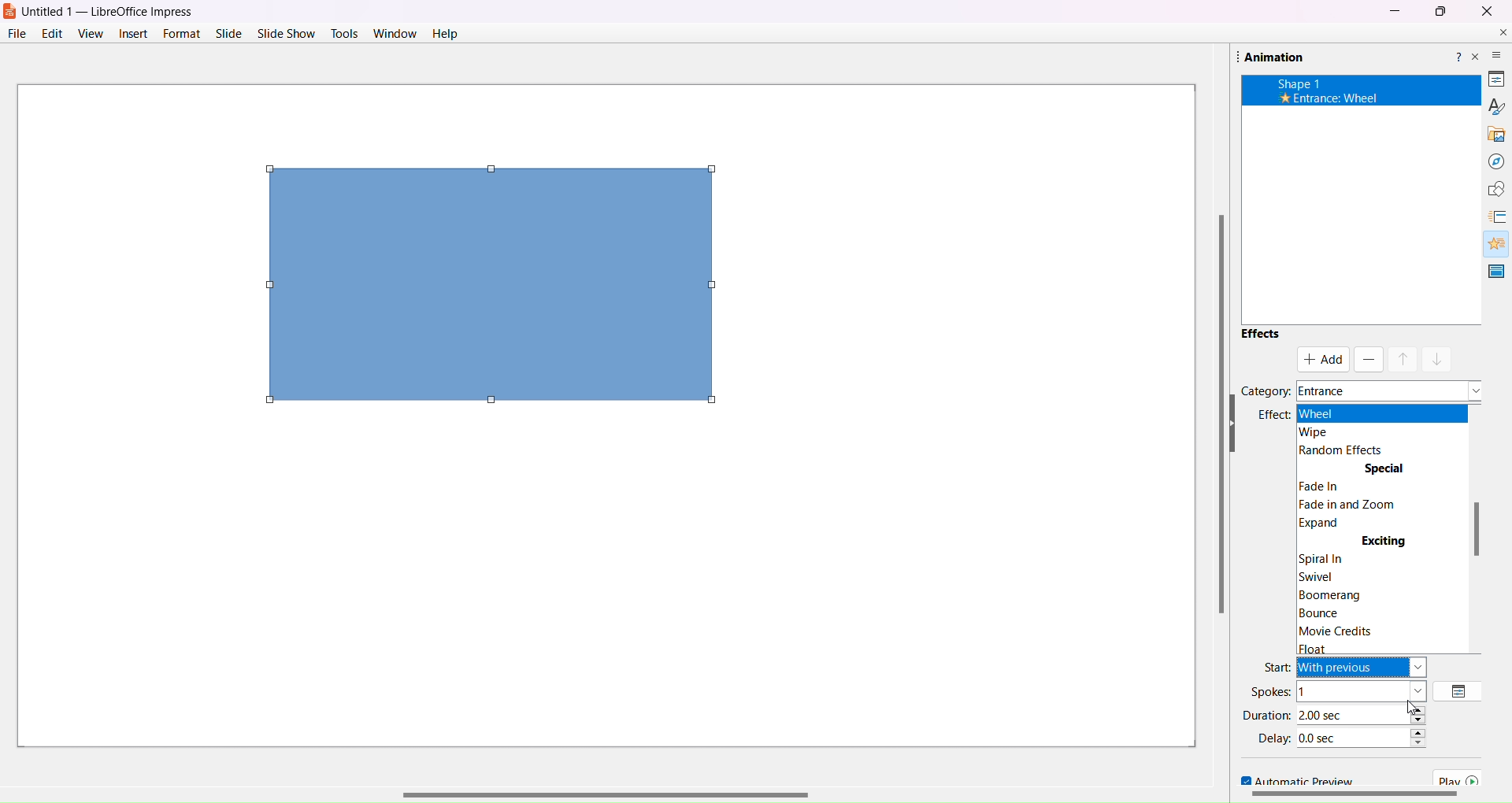  I want to click on After Previous, so click(1351, 719).